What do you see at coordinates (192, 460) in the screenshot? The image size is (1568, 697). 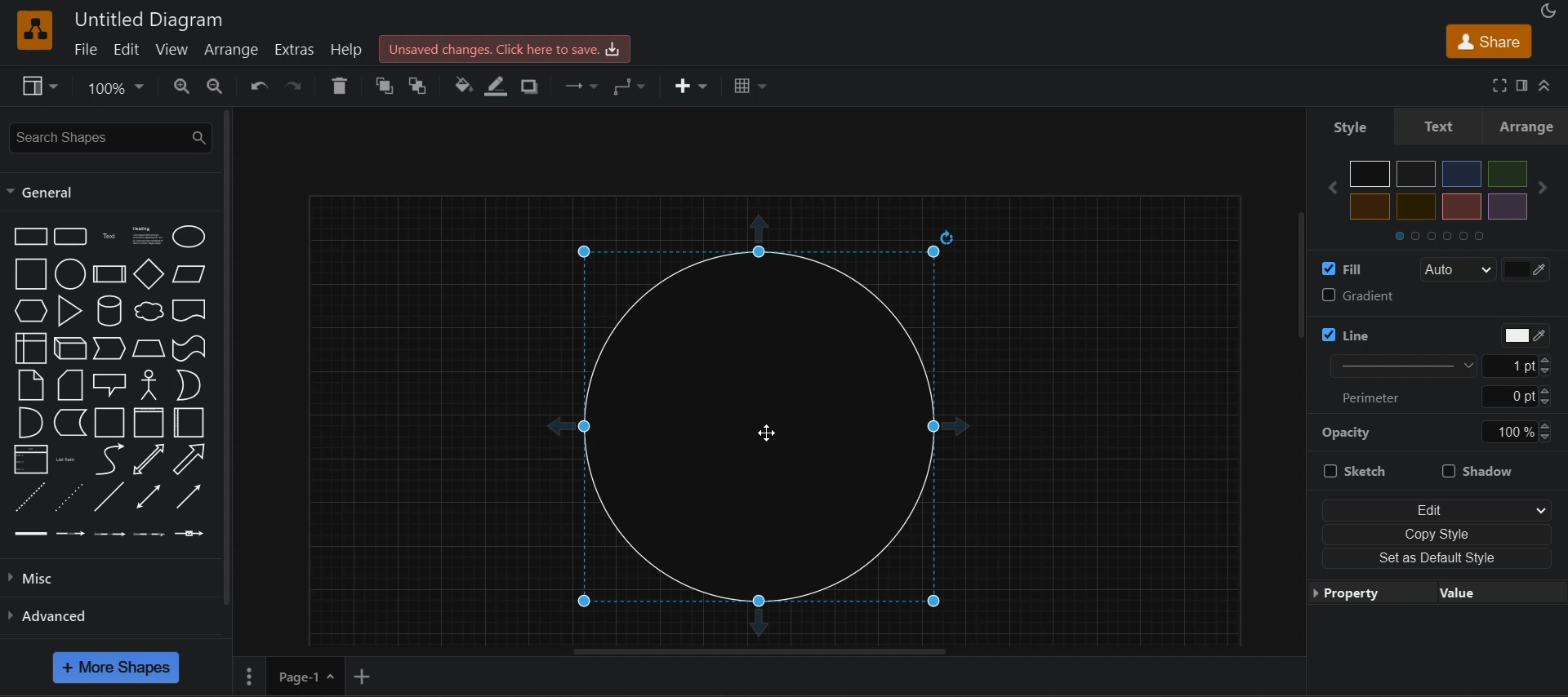 I see `arrow` at bounding box center [192, 460].